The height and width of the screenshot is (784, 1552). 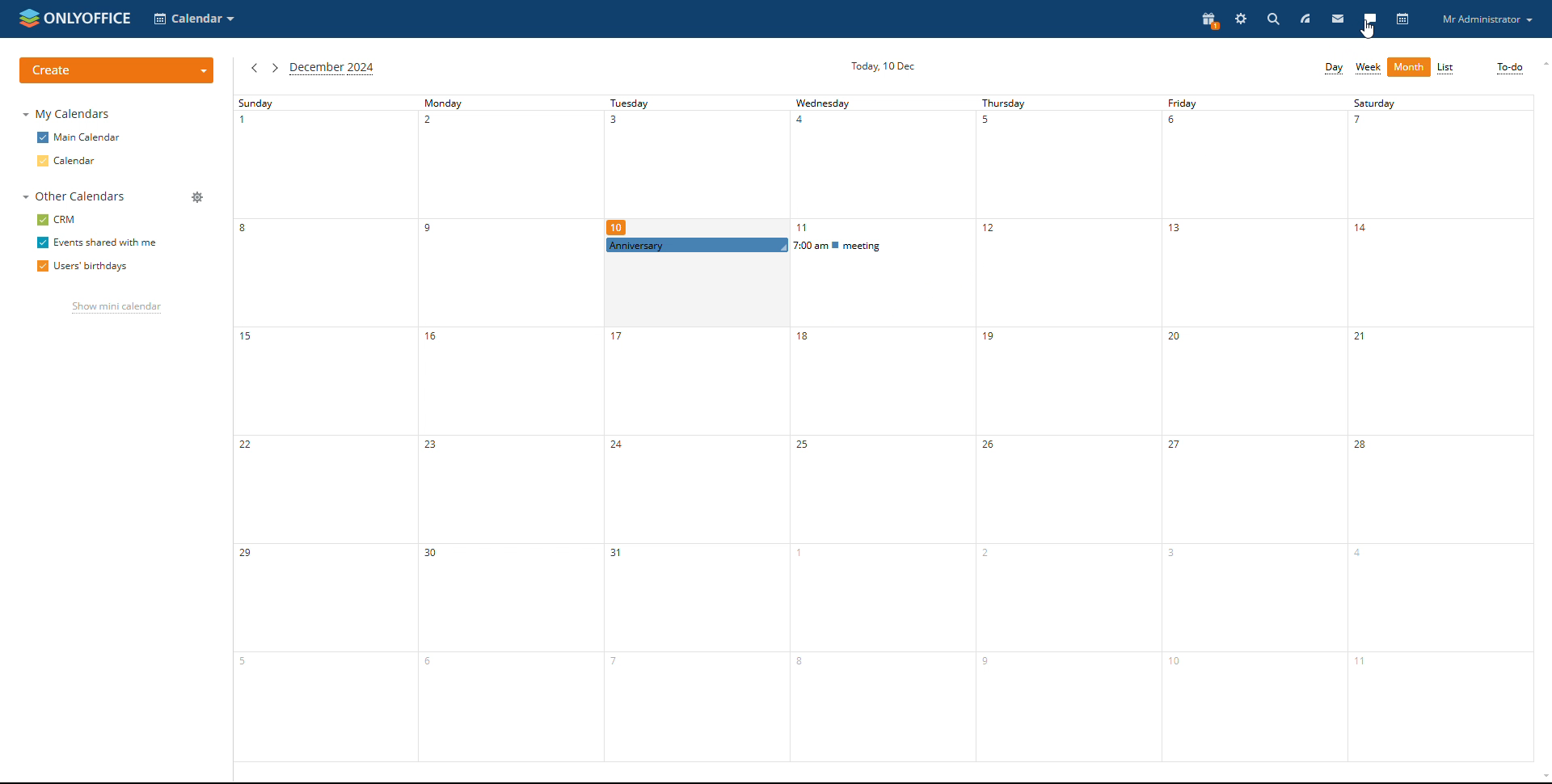 I want to click on tuesday, so click(x=698, y=157).